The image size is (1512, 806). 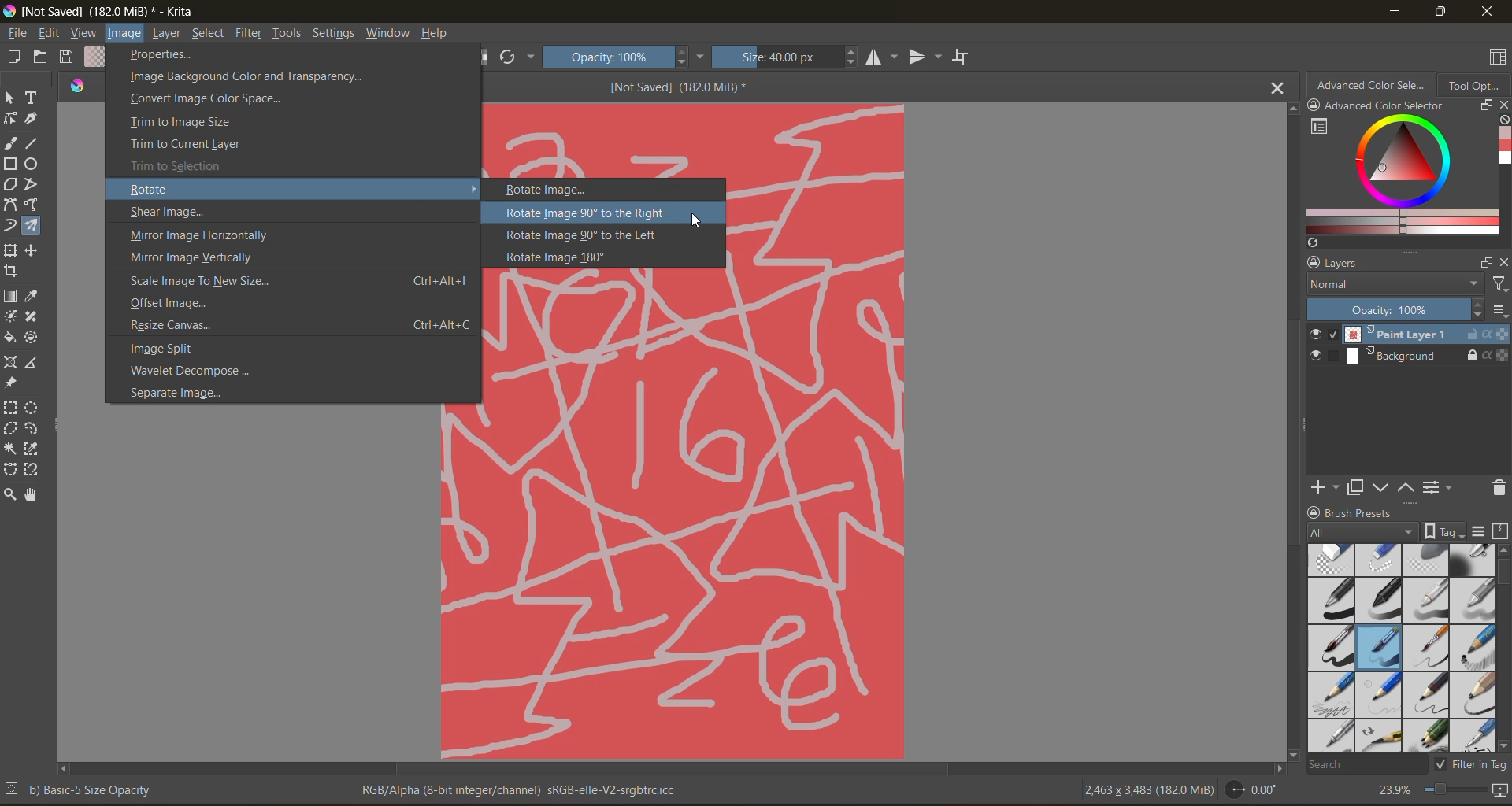 What do you see at coordinates (1276, 767) in the screenshot?
I see `Scroll right` at bounding box center [1276, 767].